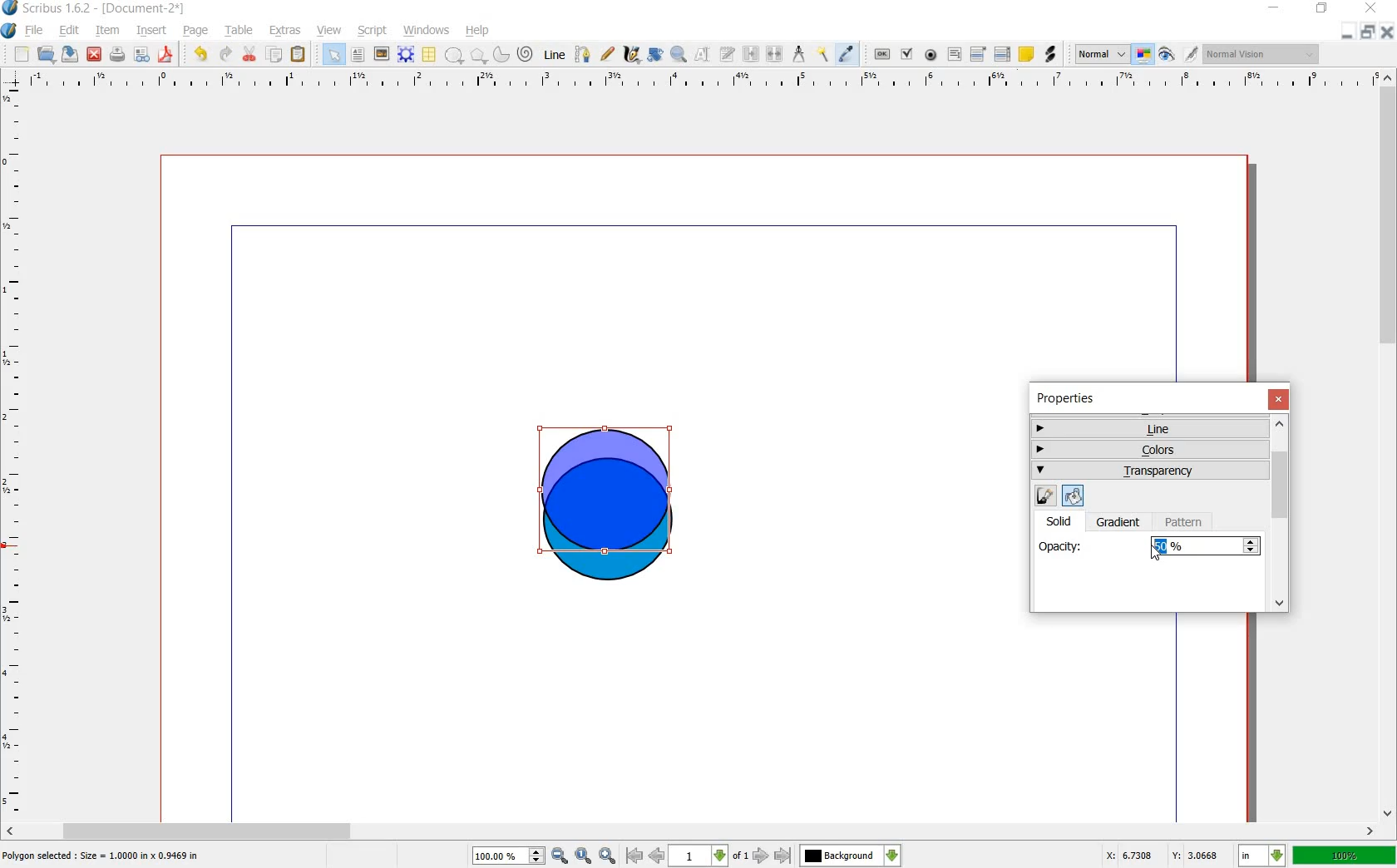  Describe the element at coordinates (701, 54) in the screenshot. I see `edit contents of frame` at that location.